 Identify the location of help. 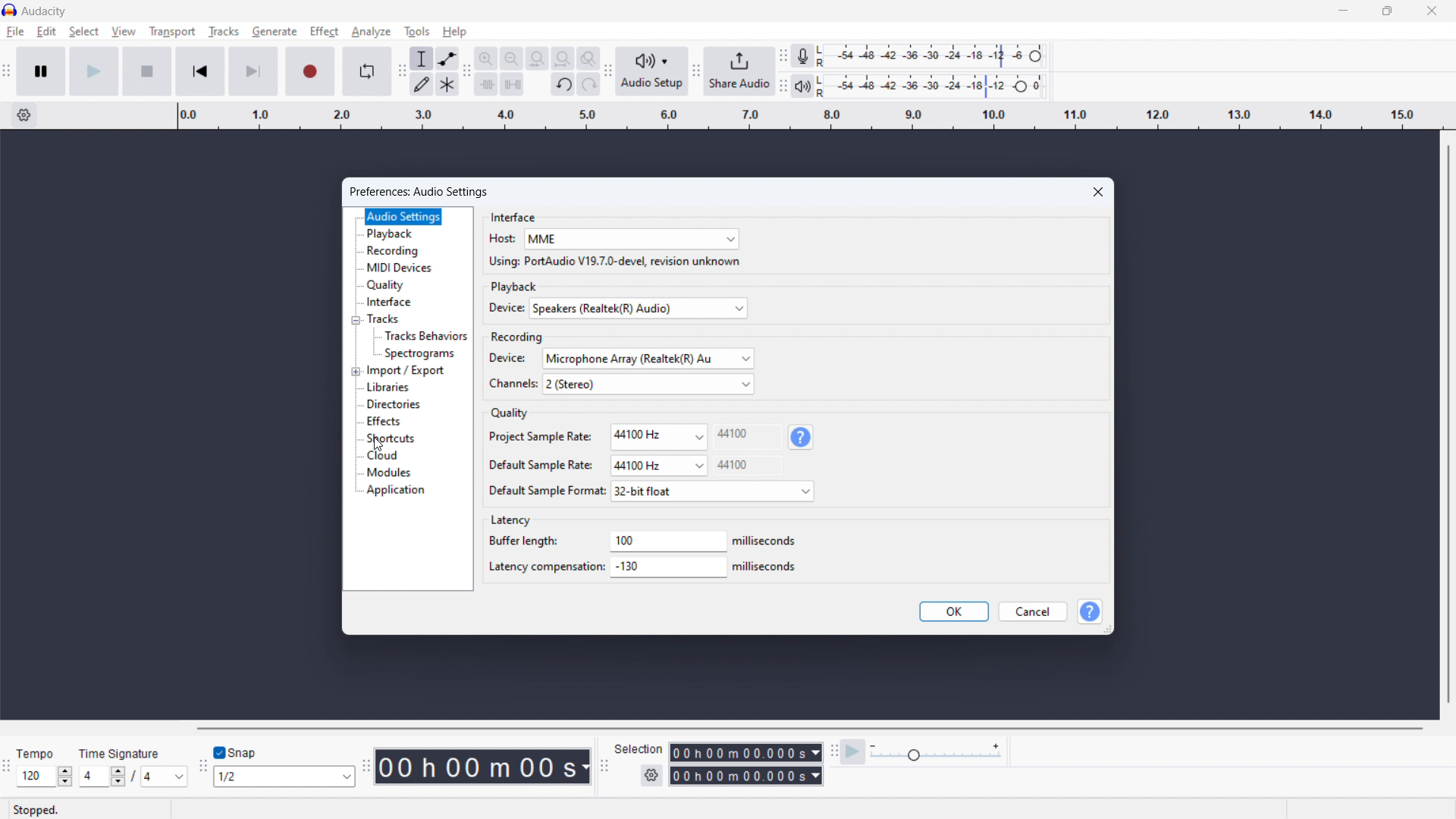
(802, 437).